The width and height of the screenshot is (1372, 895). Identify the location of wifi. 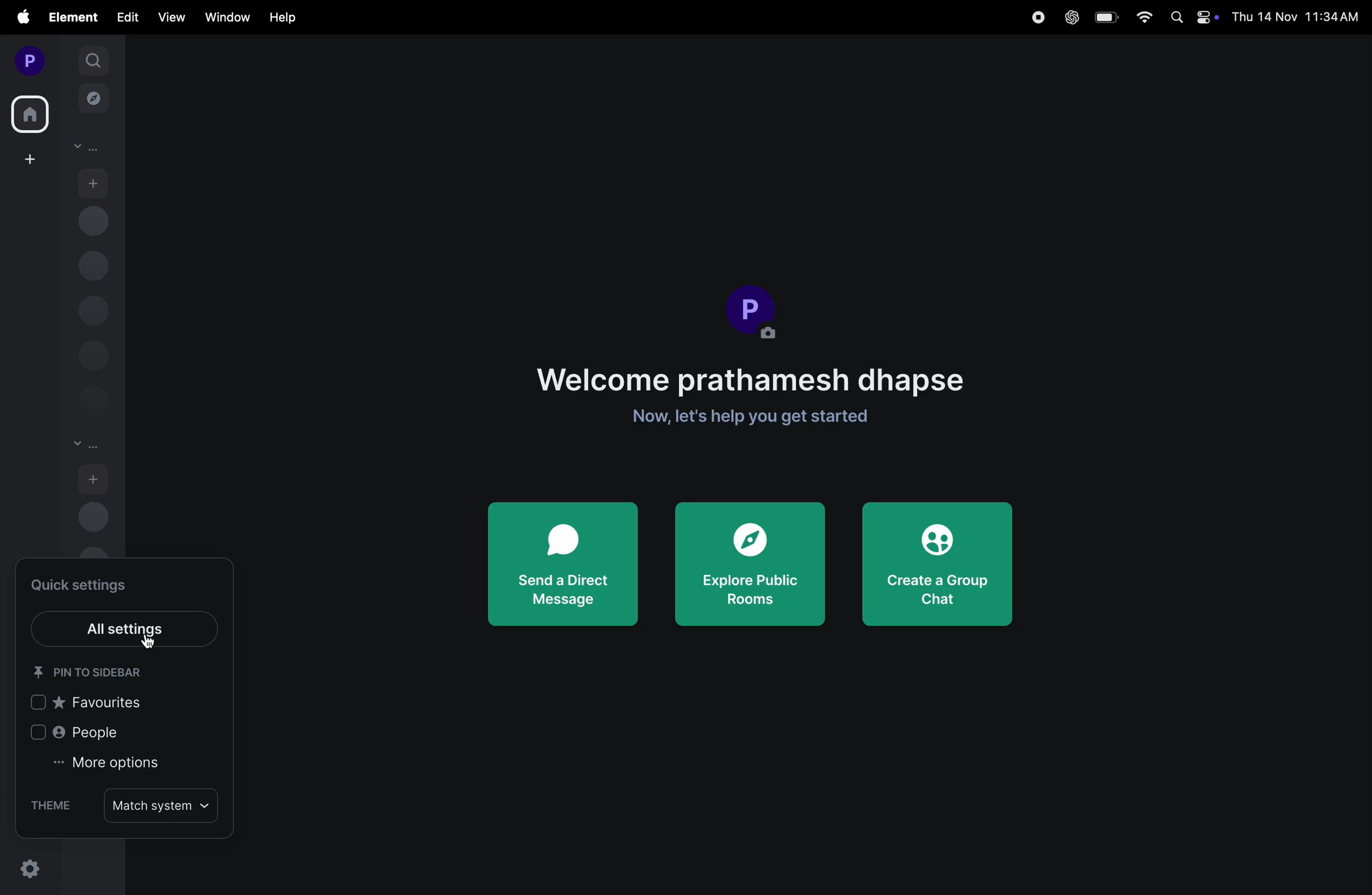
(1139, 17).